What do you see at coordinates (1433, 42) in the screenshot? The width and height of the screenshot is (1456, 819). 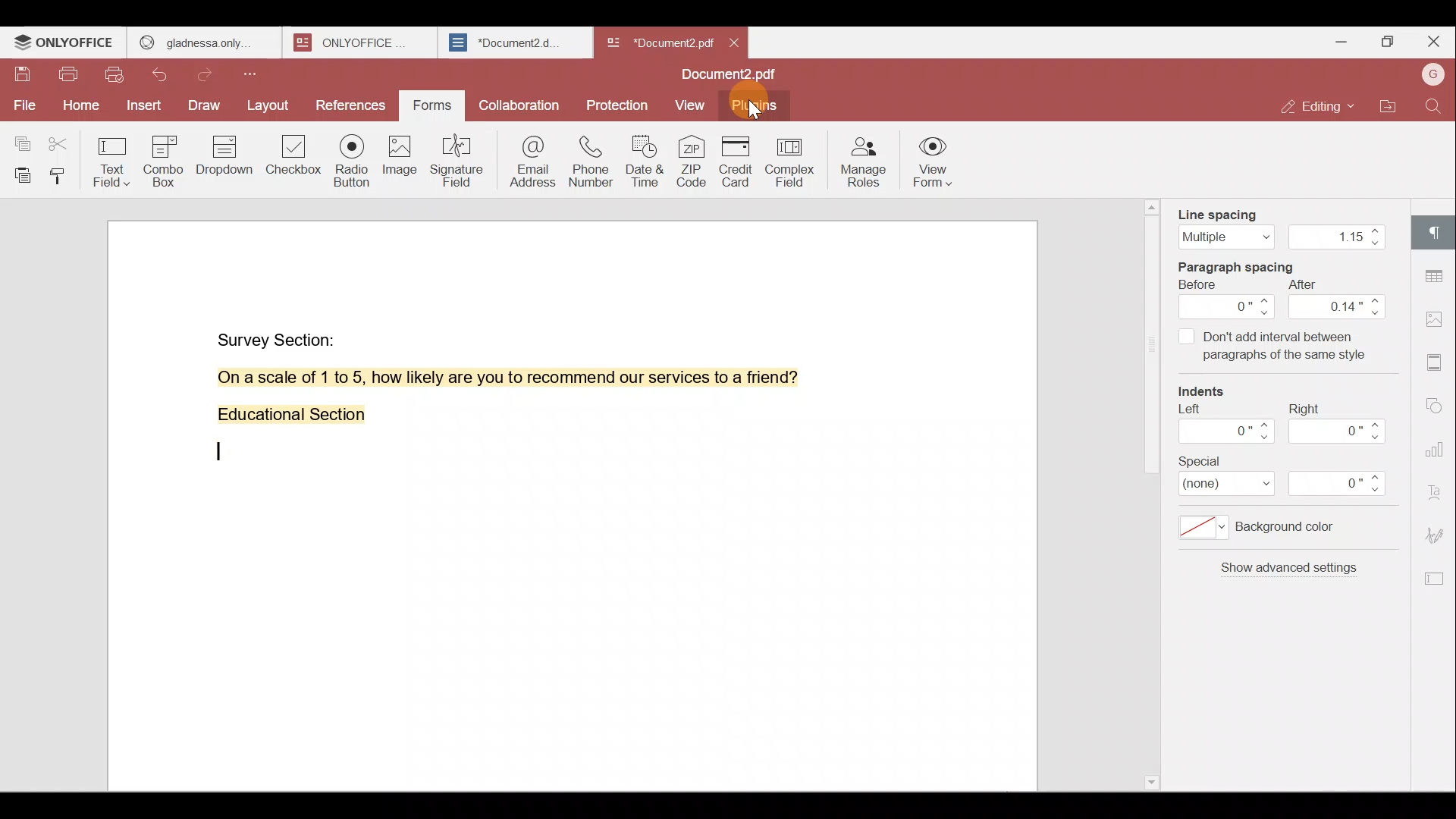 I see `Close` at bounding box center [1433, 42].